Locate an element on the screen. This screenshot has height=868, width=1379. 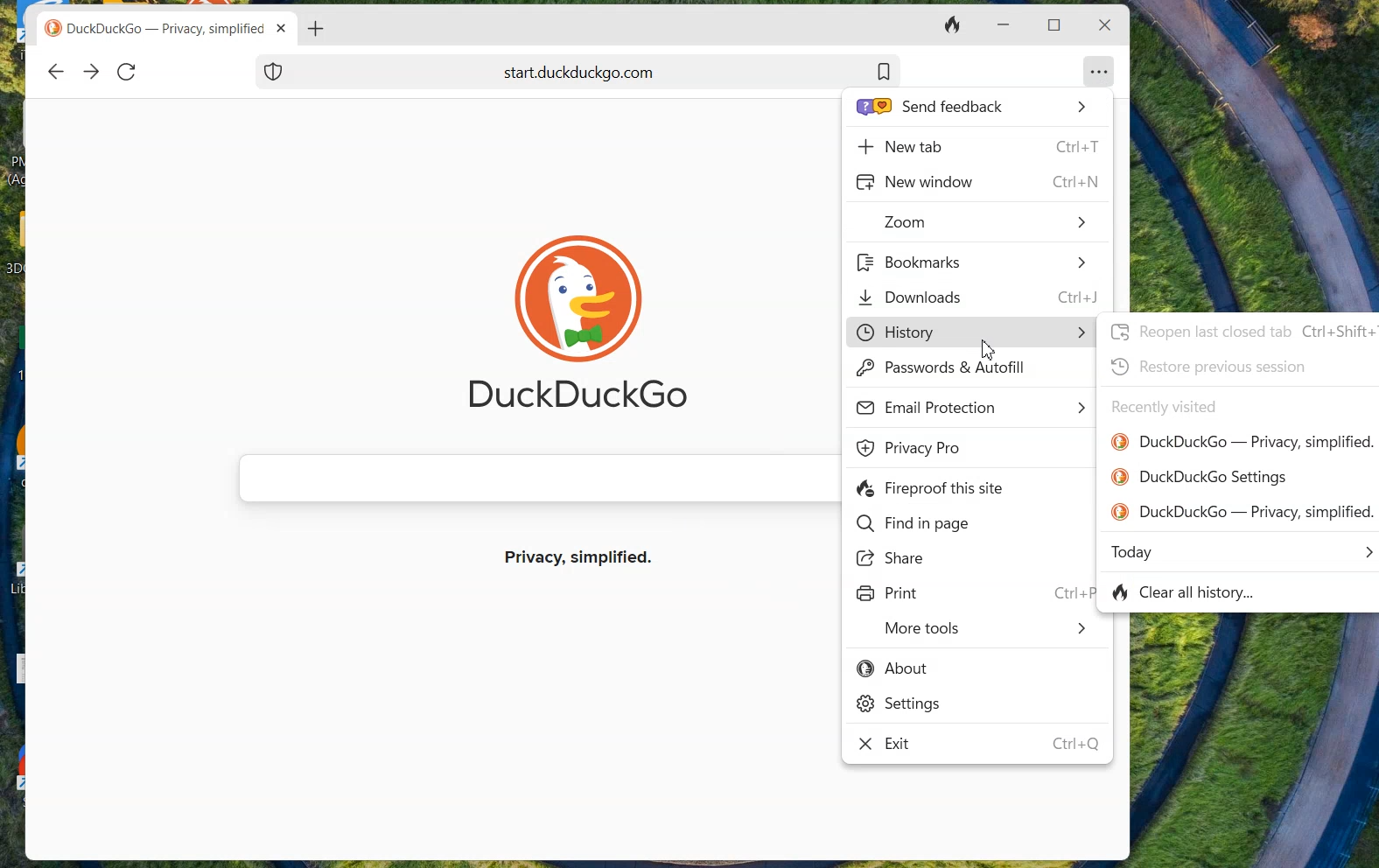
New window is located at coordinates (976, 182).